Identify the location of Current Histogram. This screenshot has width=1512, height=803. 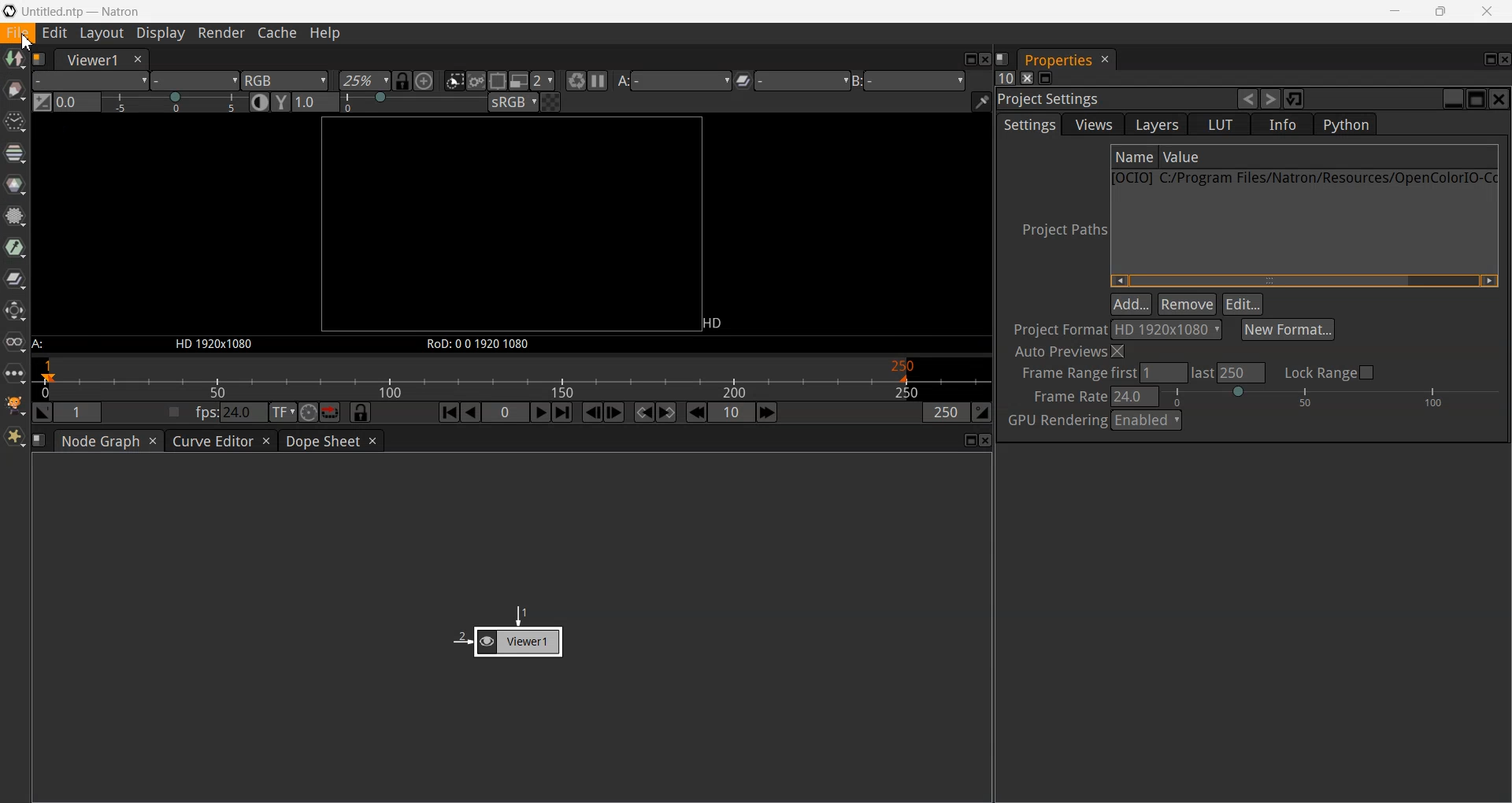
(77, 102).